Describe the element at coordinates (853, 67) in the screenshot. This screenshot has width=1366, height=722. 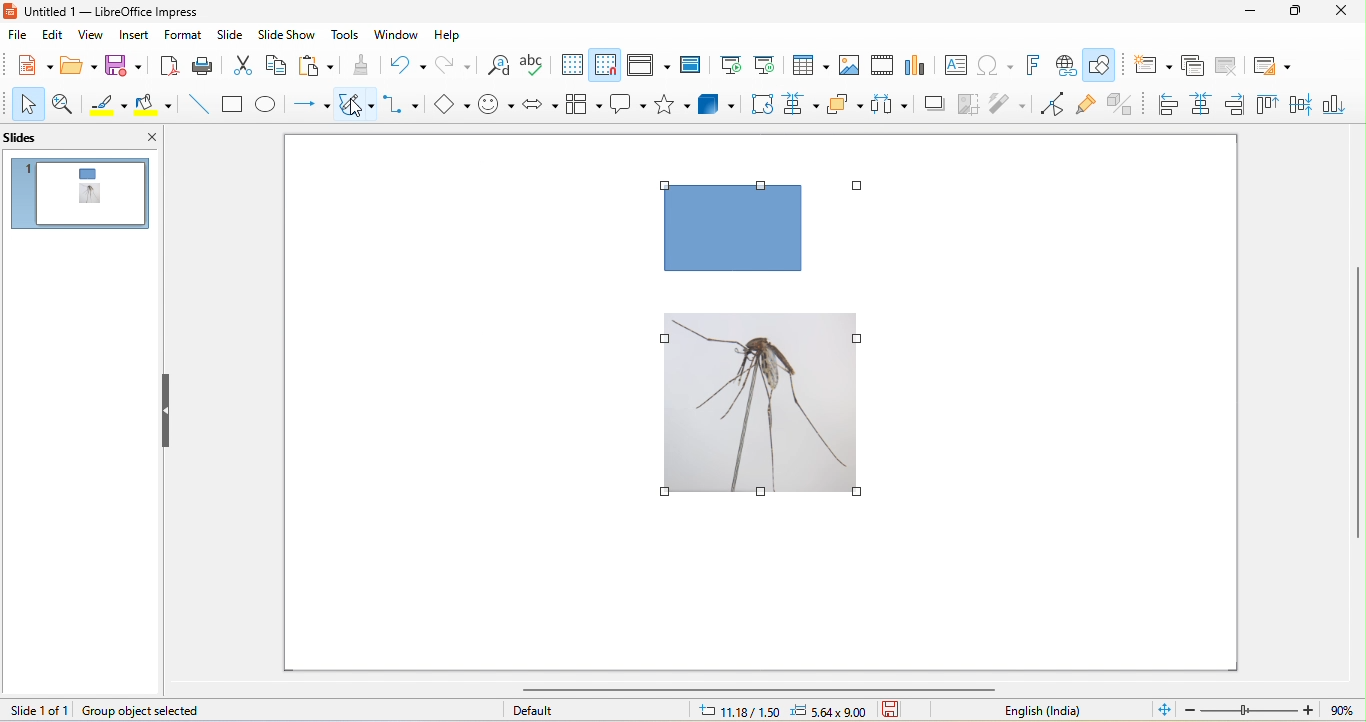
I see `image` at that location.